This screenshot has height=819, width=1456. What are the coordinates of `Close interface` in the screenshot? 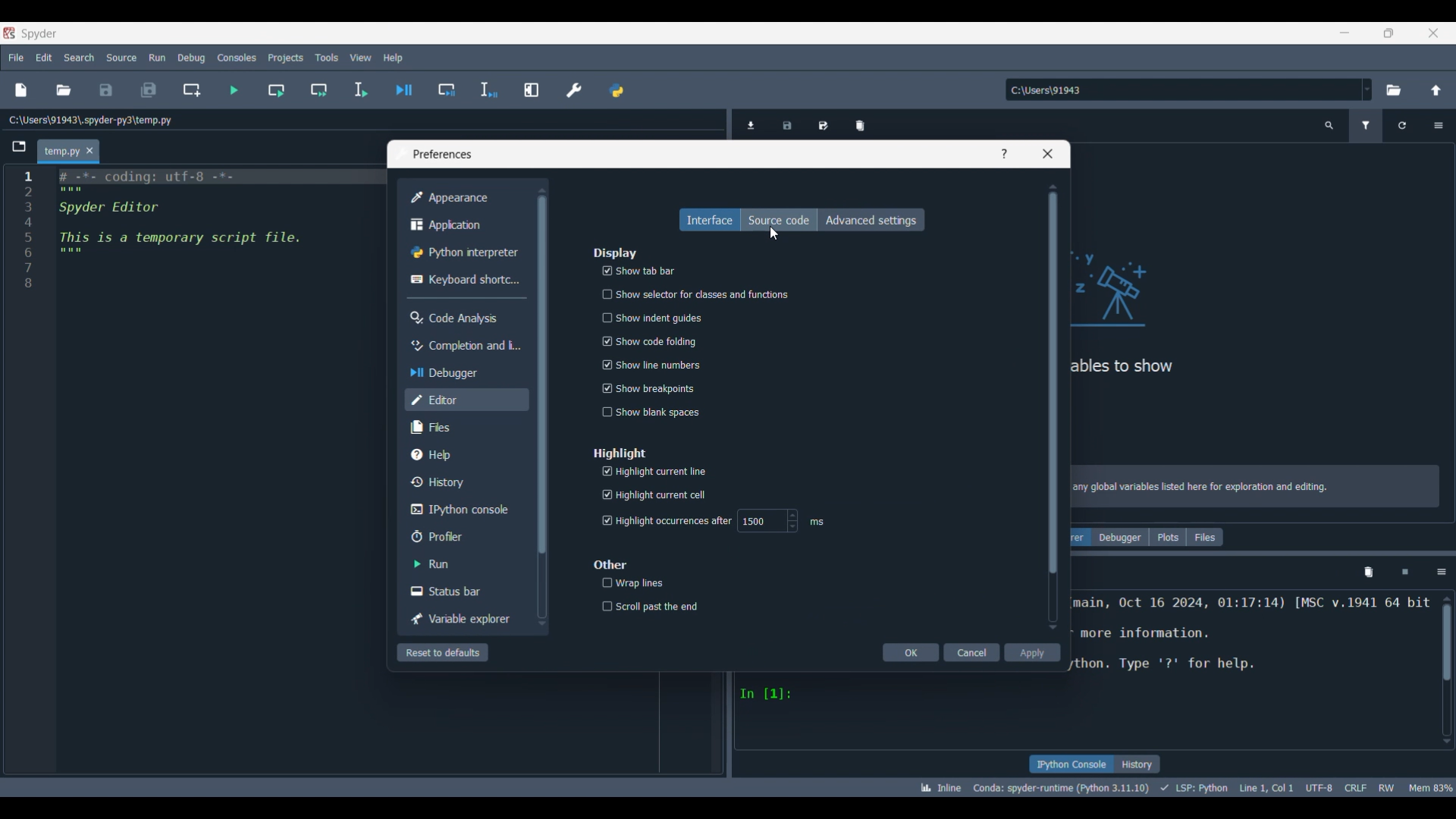 It's located at (1433, 33).